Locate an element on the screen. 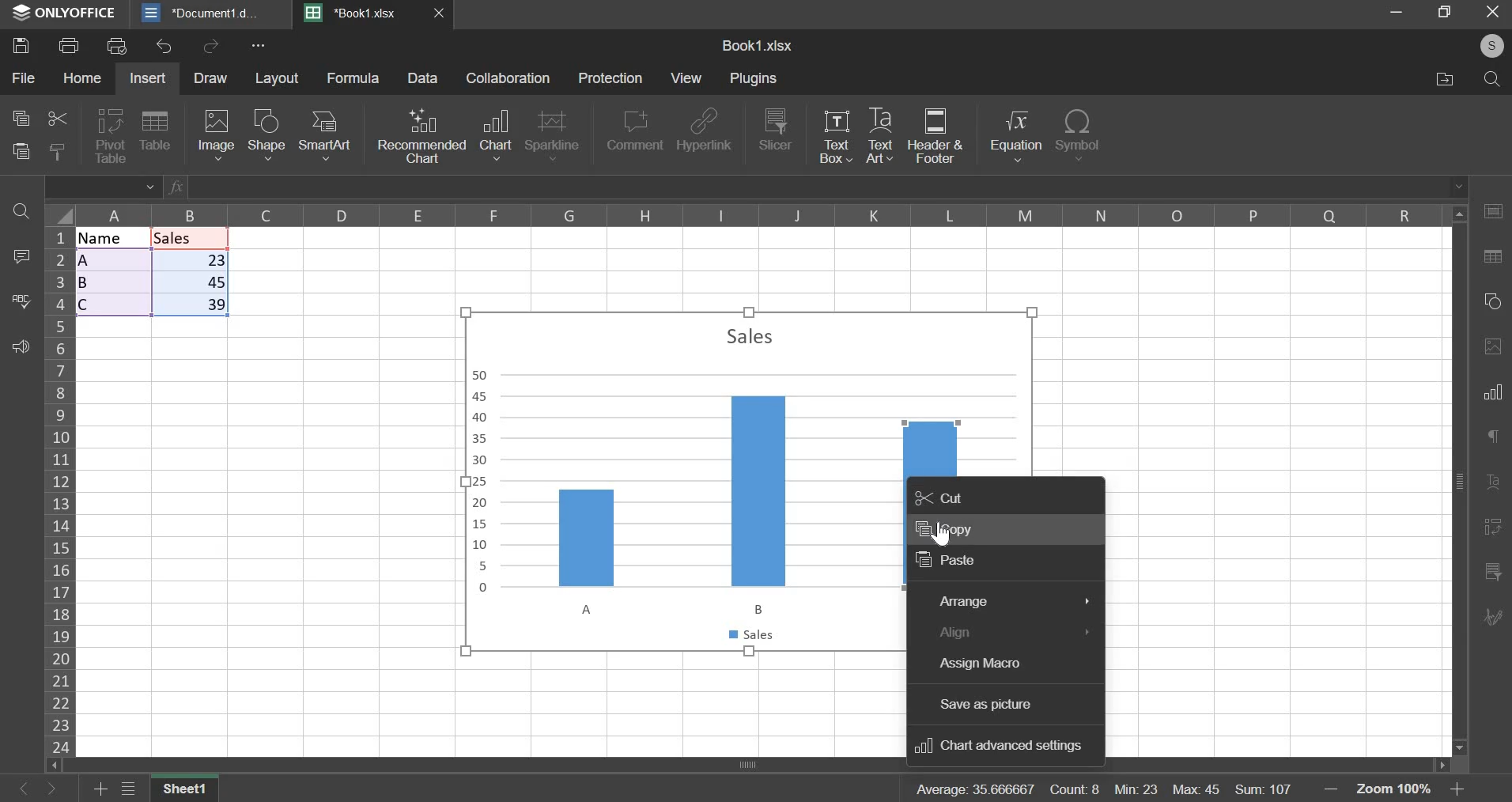 The height and width of the screenshot is (802, 1512). find is located at coordinates (18, 211).